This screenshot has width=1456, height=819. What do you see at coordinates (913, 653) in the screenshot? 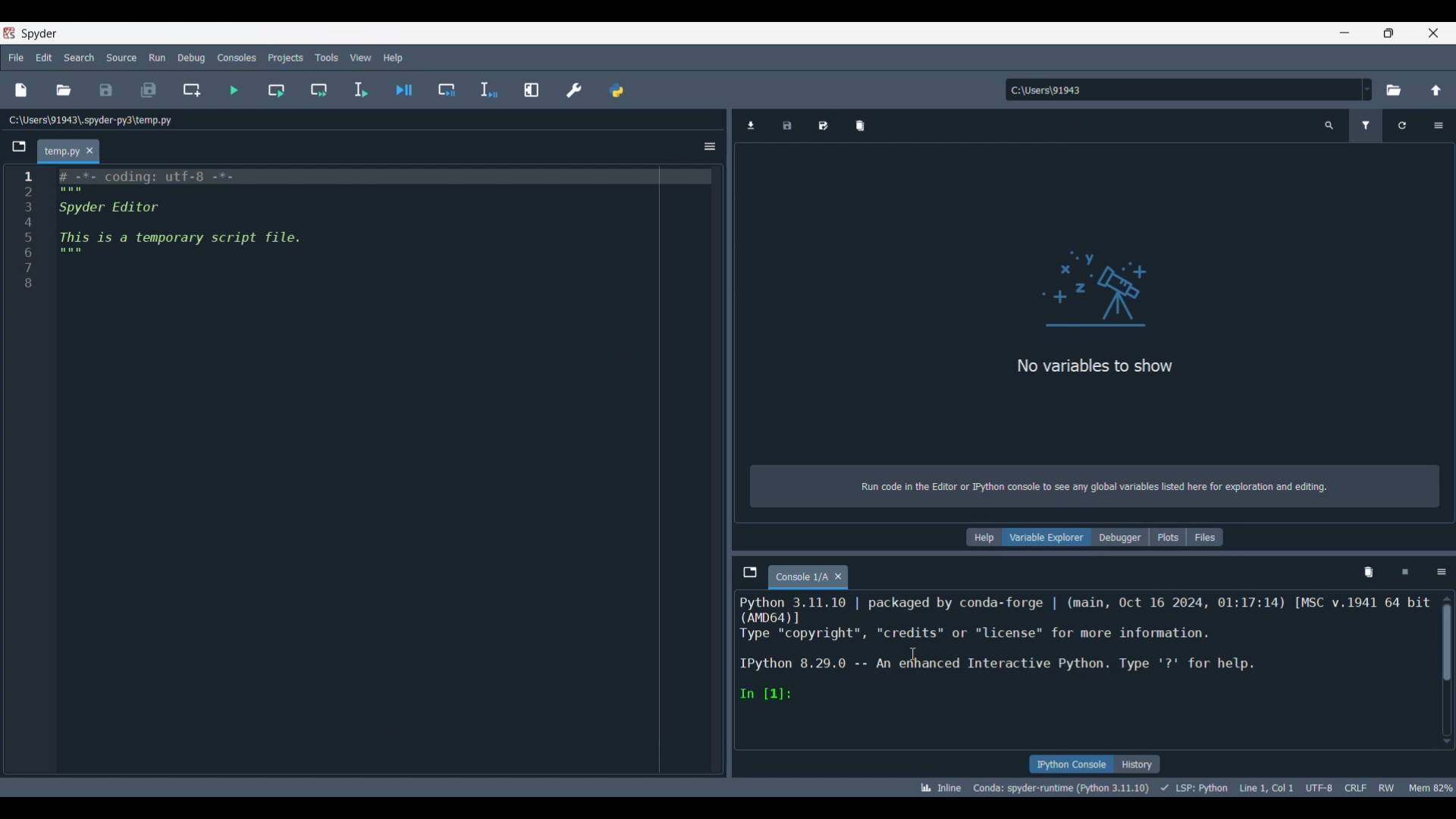
I see `Cursor` at bounding box center [913, 653].